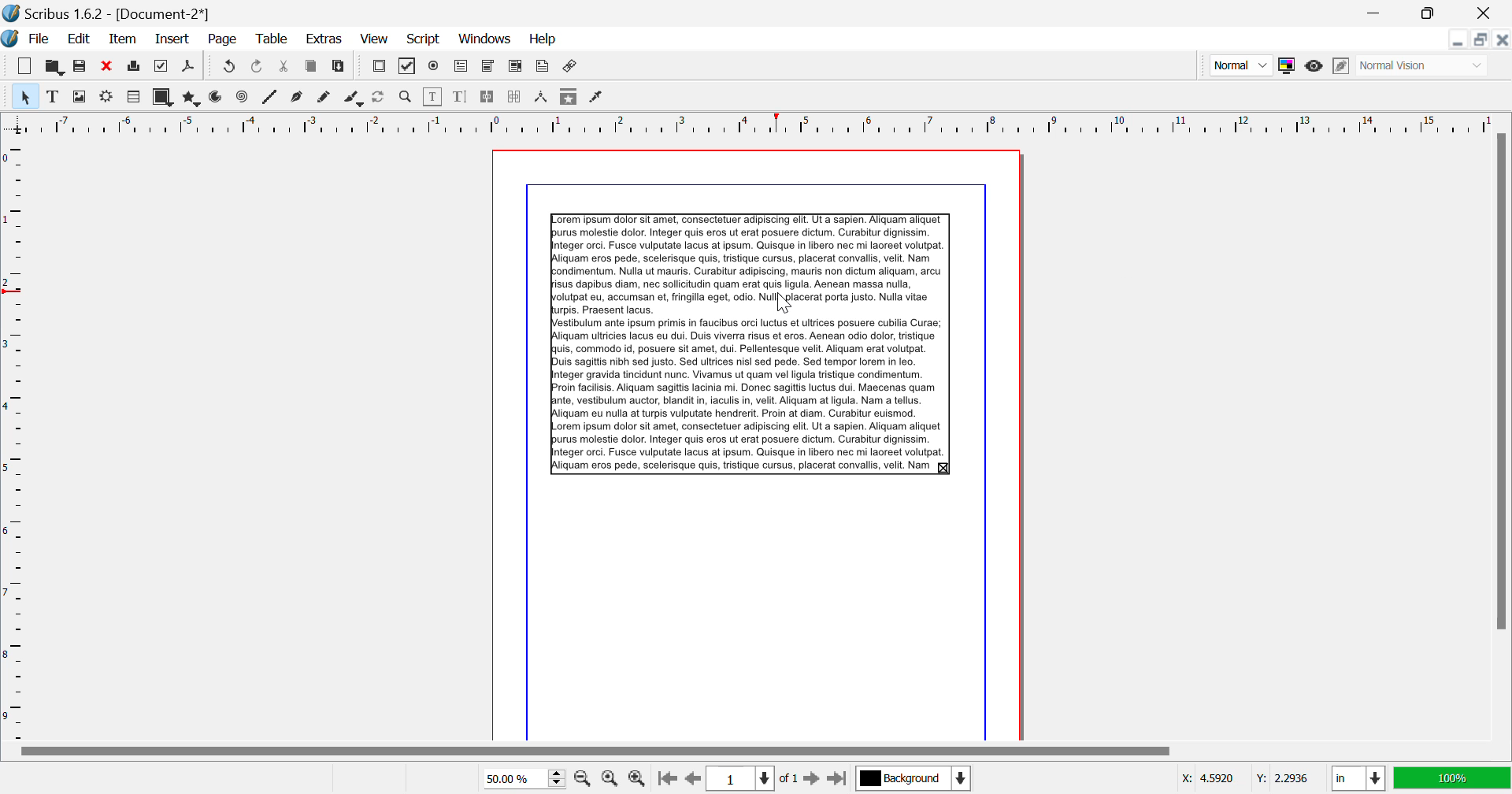 The image size is (1512, 794). Describe the element at coordinates (1378, 13) in the screenshot. I see `Restore Down` at that location.